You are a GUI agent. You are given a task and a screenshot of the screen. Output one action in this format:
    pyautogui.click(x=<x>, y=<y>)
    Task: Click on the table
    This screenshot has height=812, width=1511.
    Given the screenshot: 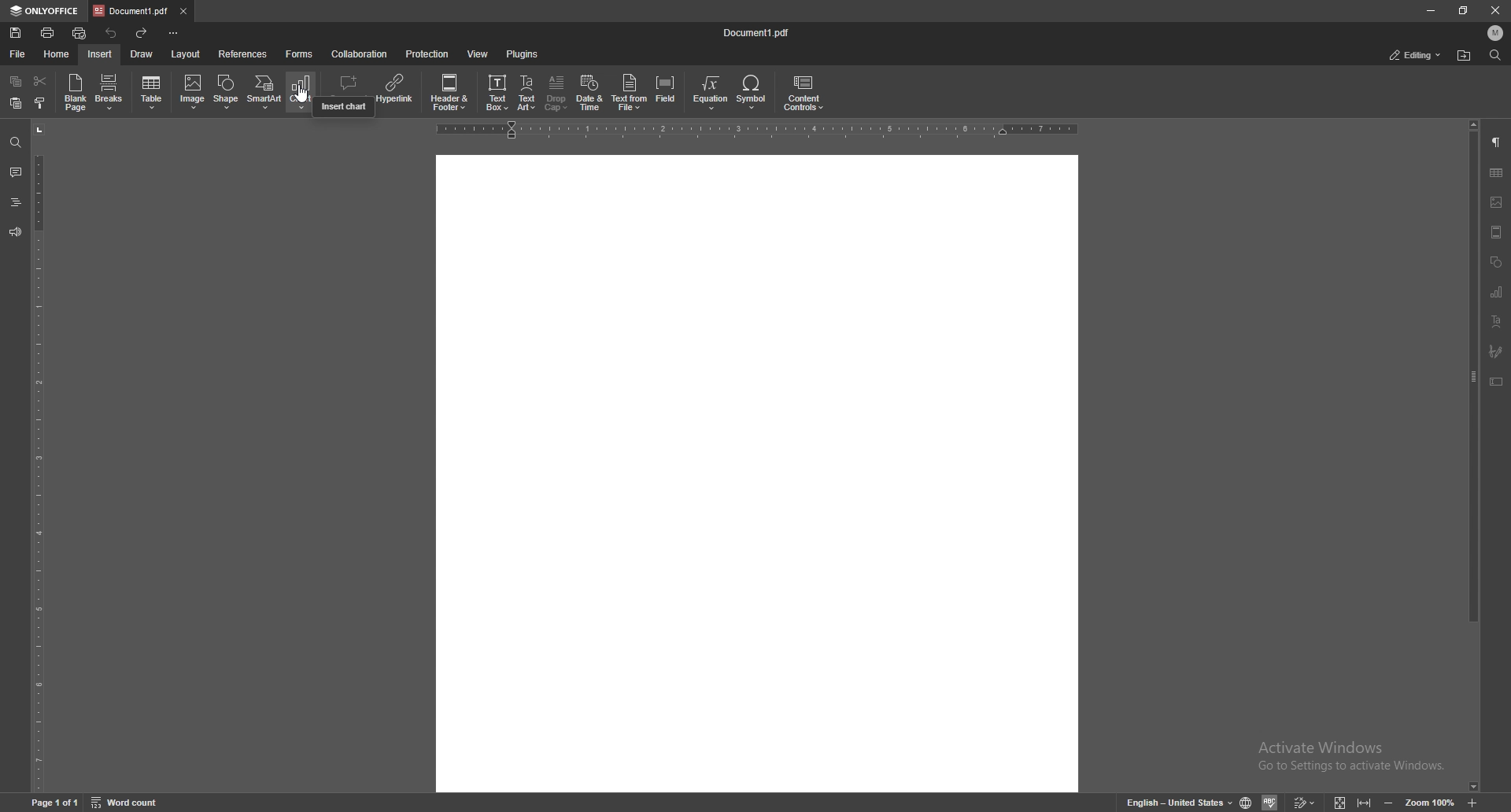 What is the action you would take?
    pyautogui.click(x=151, y=93)
    